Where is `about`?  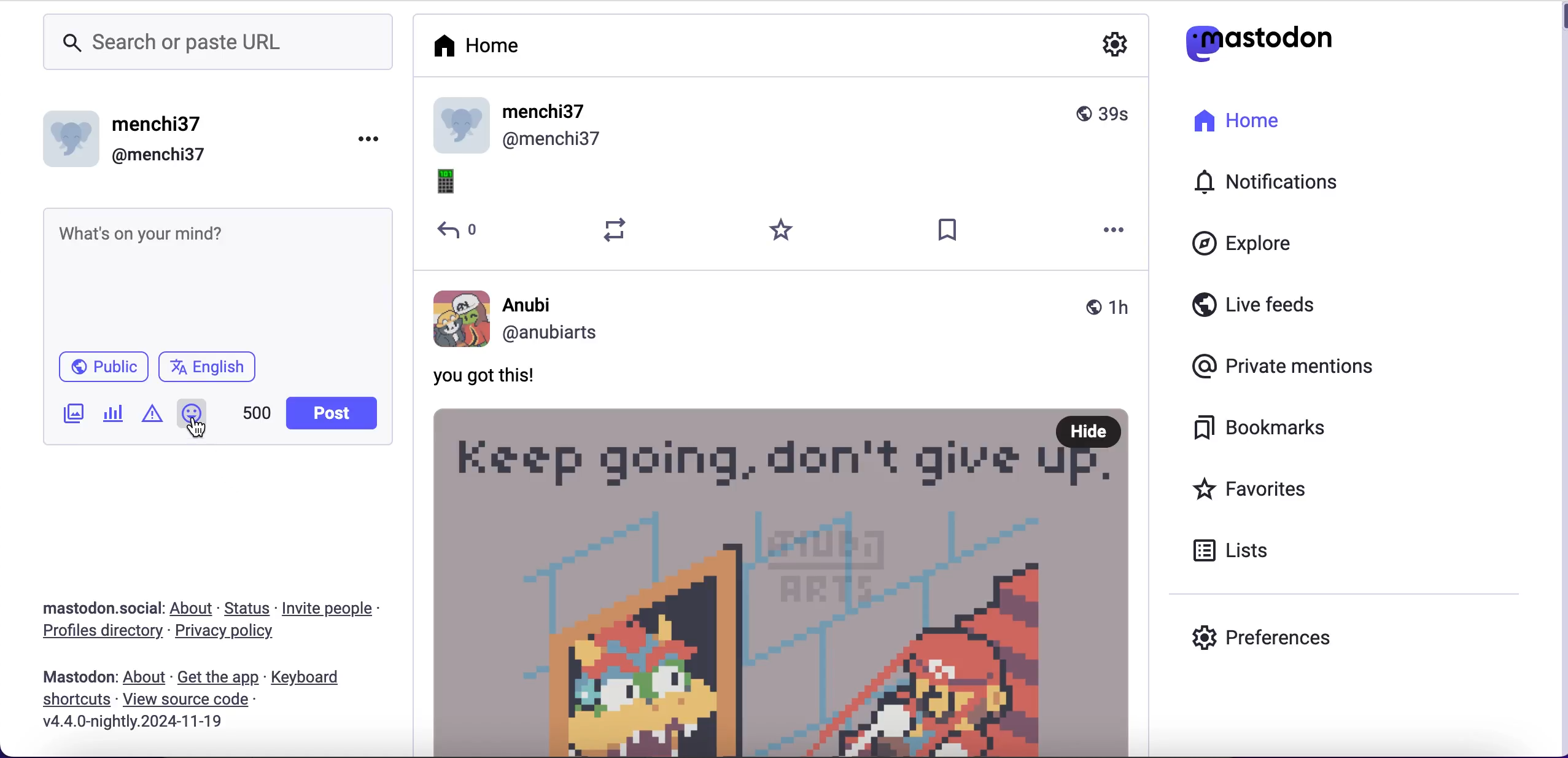
about is located at coordinates (192, 609).